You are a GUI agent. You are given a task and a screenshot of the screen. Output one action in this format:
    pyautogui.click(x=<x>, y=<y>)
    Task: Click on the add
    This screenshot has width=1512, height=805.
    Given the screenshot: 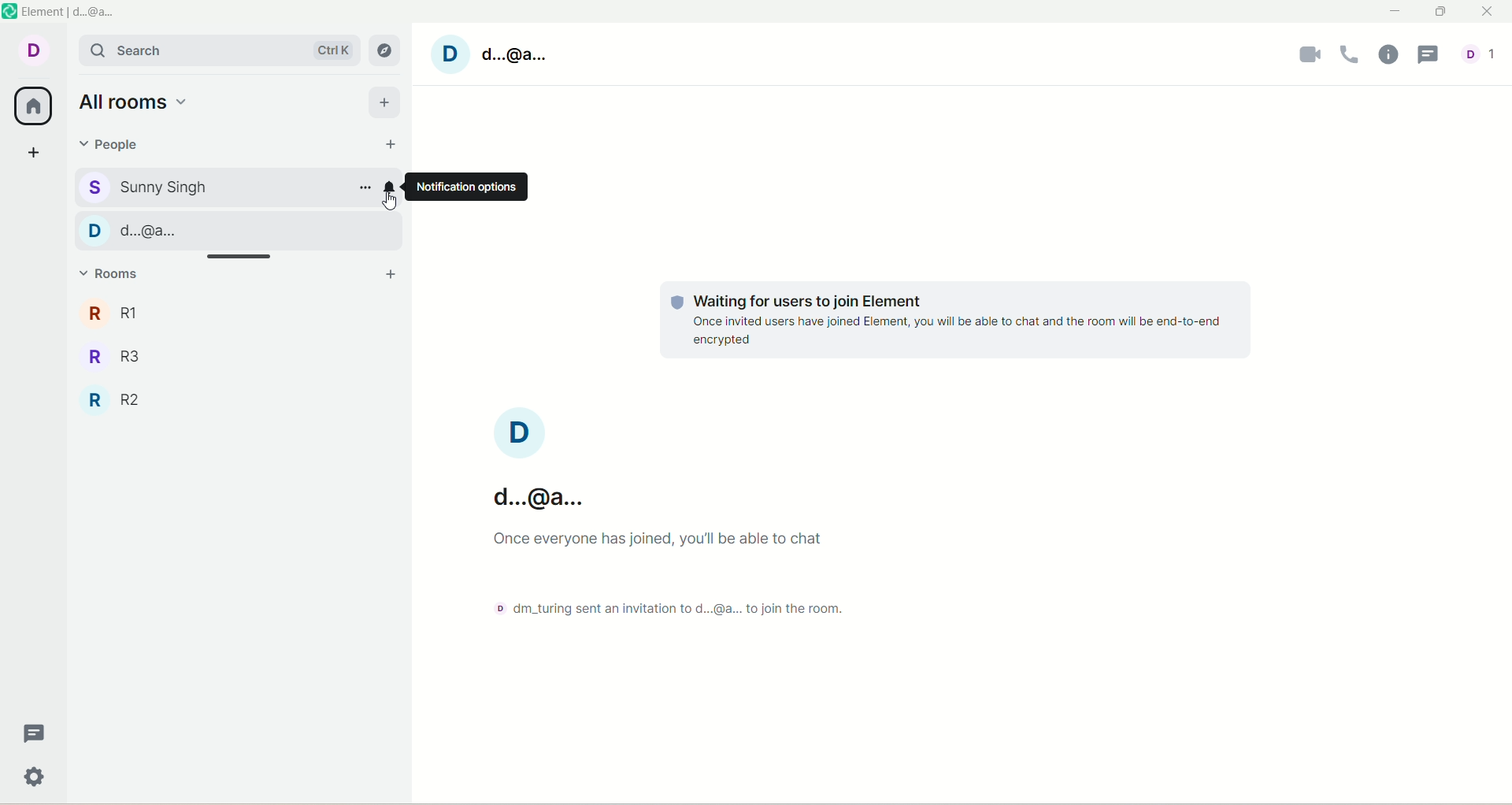 What is the action you would take?
    pyautogui.click(x=386, y=101)
    